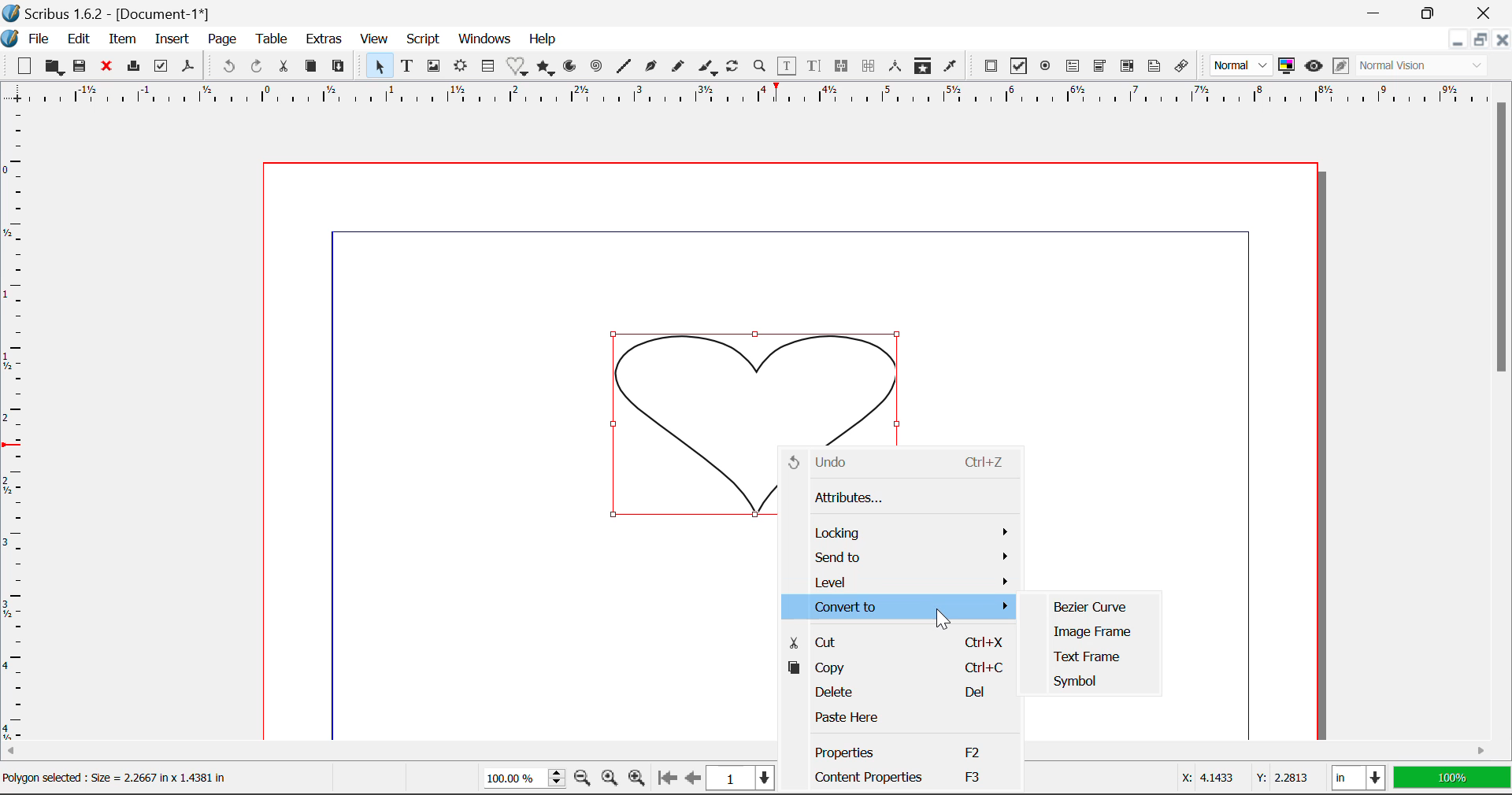 The width and height of the screenshot is (1512, 795). Describe the element at coordinates (24, 68) in the screenshot. I see `New` at that location.